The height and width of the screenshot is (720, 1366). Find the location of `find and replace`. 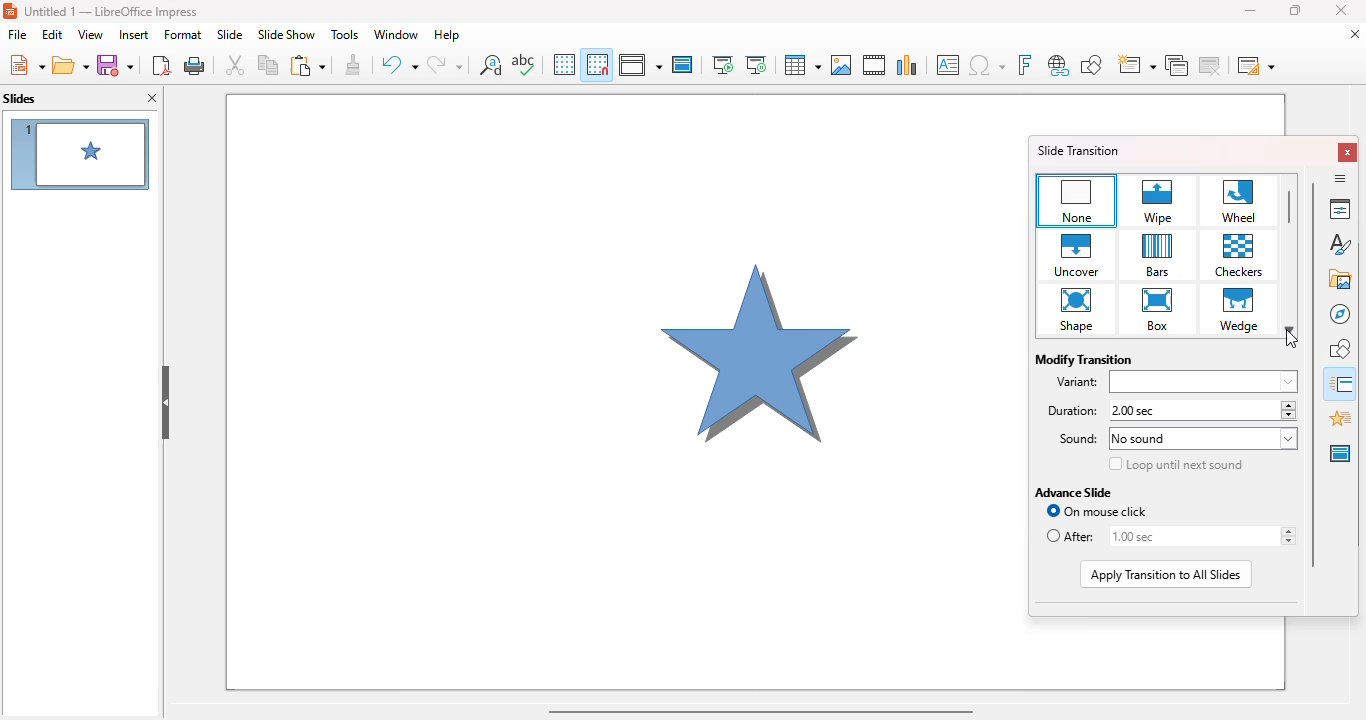

find and replace is located at coordinates (491, 64).